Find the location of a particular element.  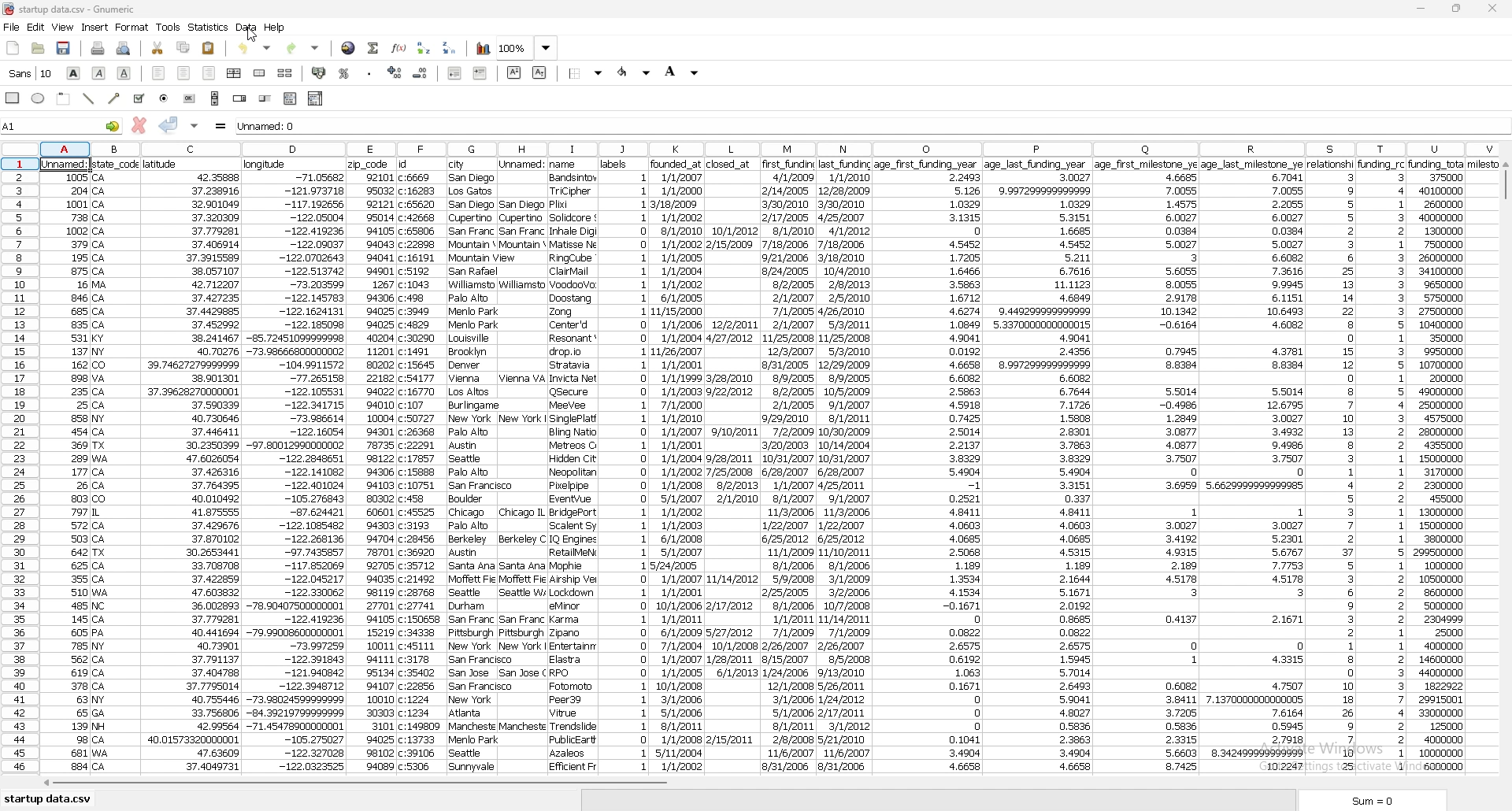

spin button is located at coordinates (239, 99).